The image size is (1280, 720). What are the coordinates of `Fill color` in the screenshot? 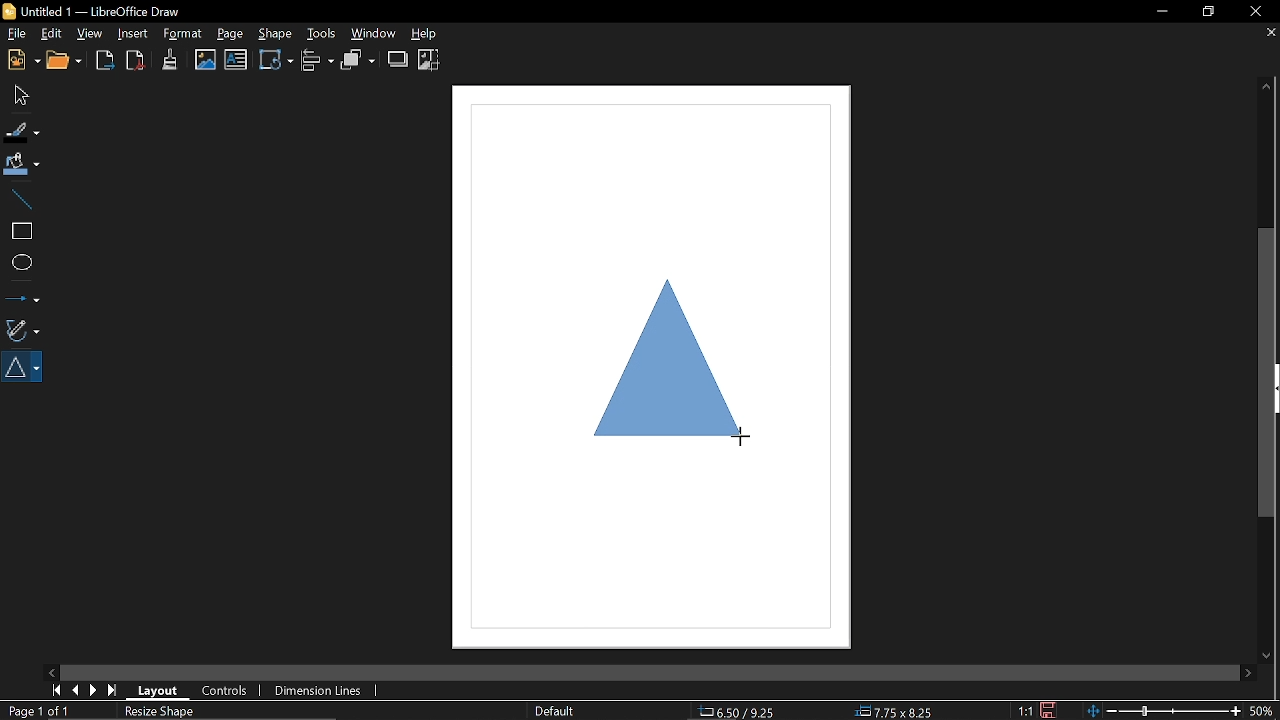 It's located at (22, 165).